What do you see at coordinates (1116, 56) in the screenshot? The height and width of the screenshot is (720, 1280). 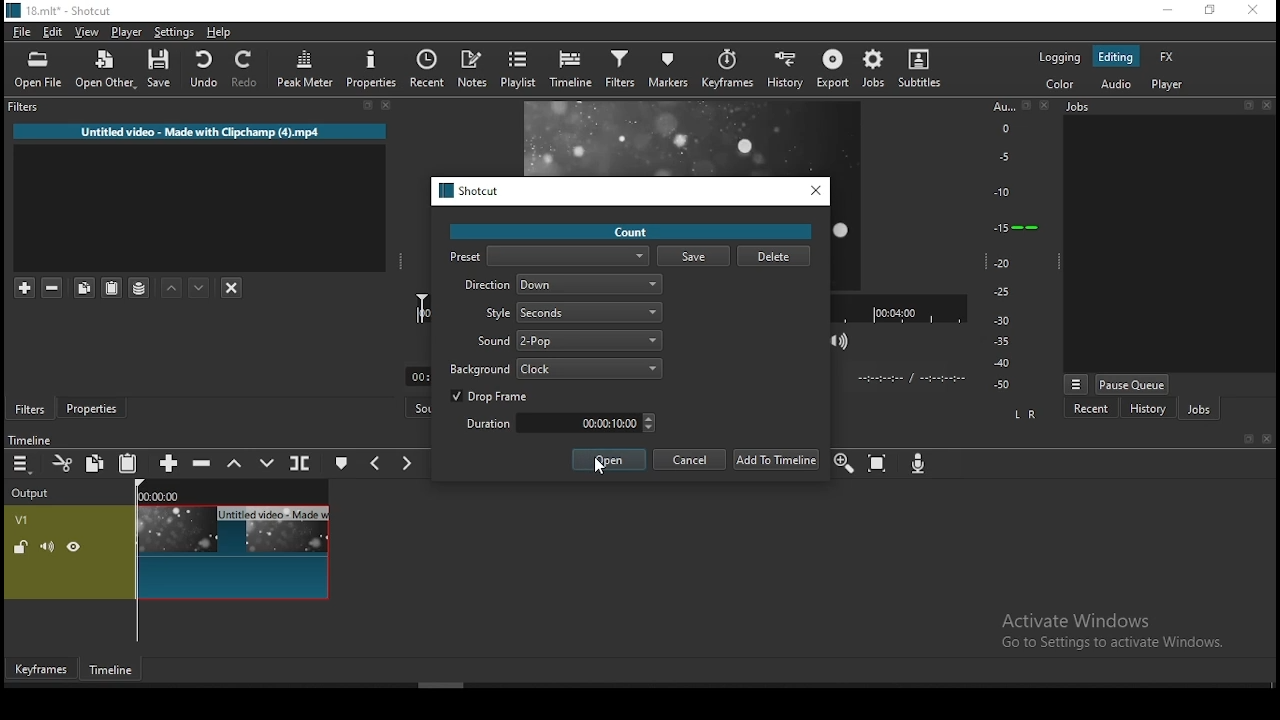 I see `editing` at bounding box center [1116, 56].